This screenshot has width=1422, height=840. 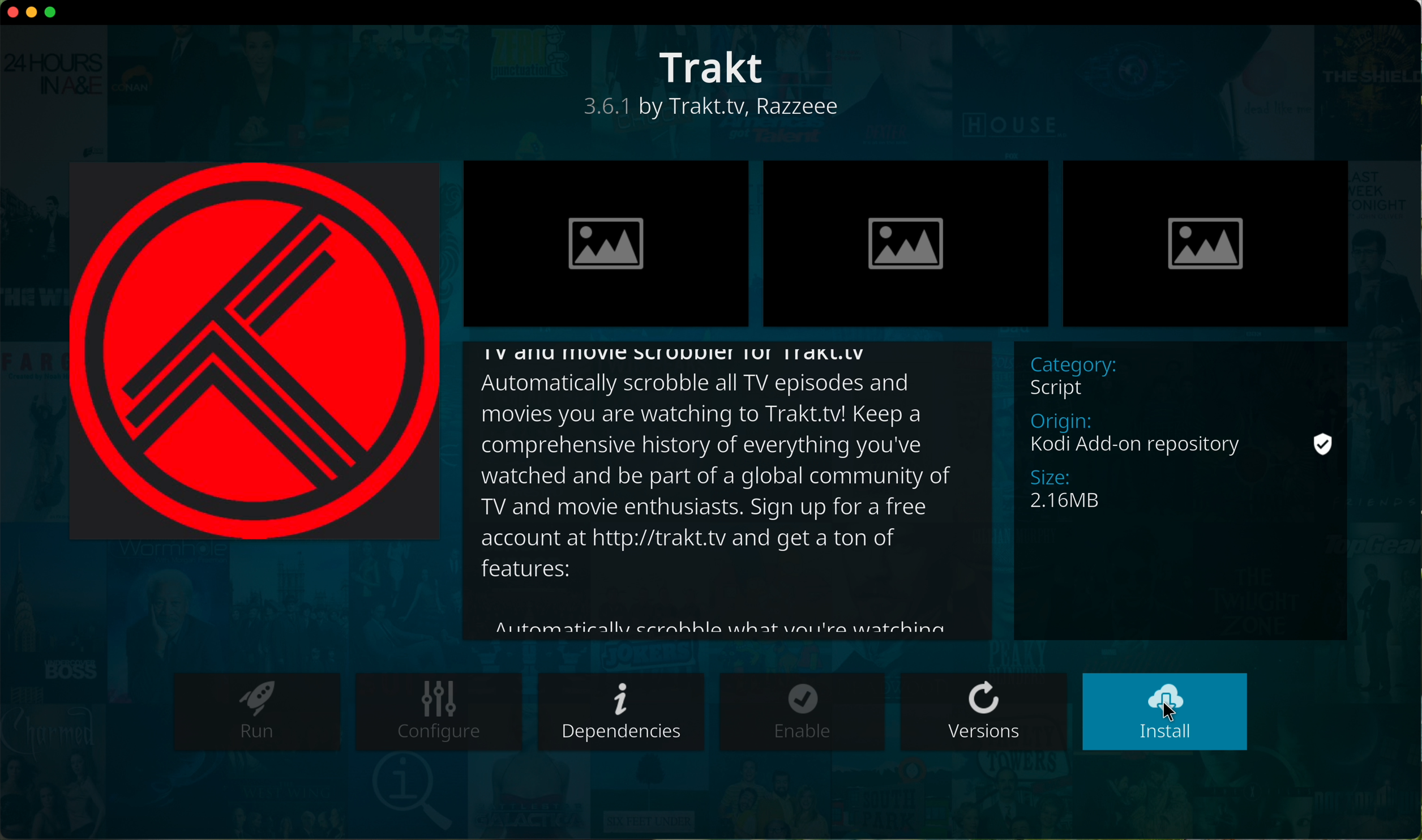 What do you see at coordinates (32, 16) in the screenshot?
I see `minimize` at bounding box center [32, 16].